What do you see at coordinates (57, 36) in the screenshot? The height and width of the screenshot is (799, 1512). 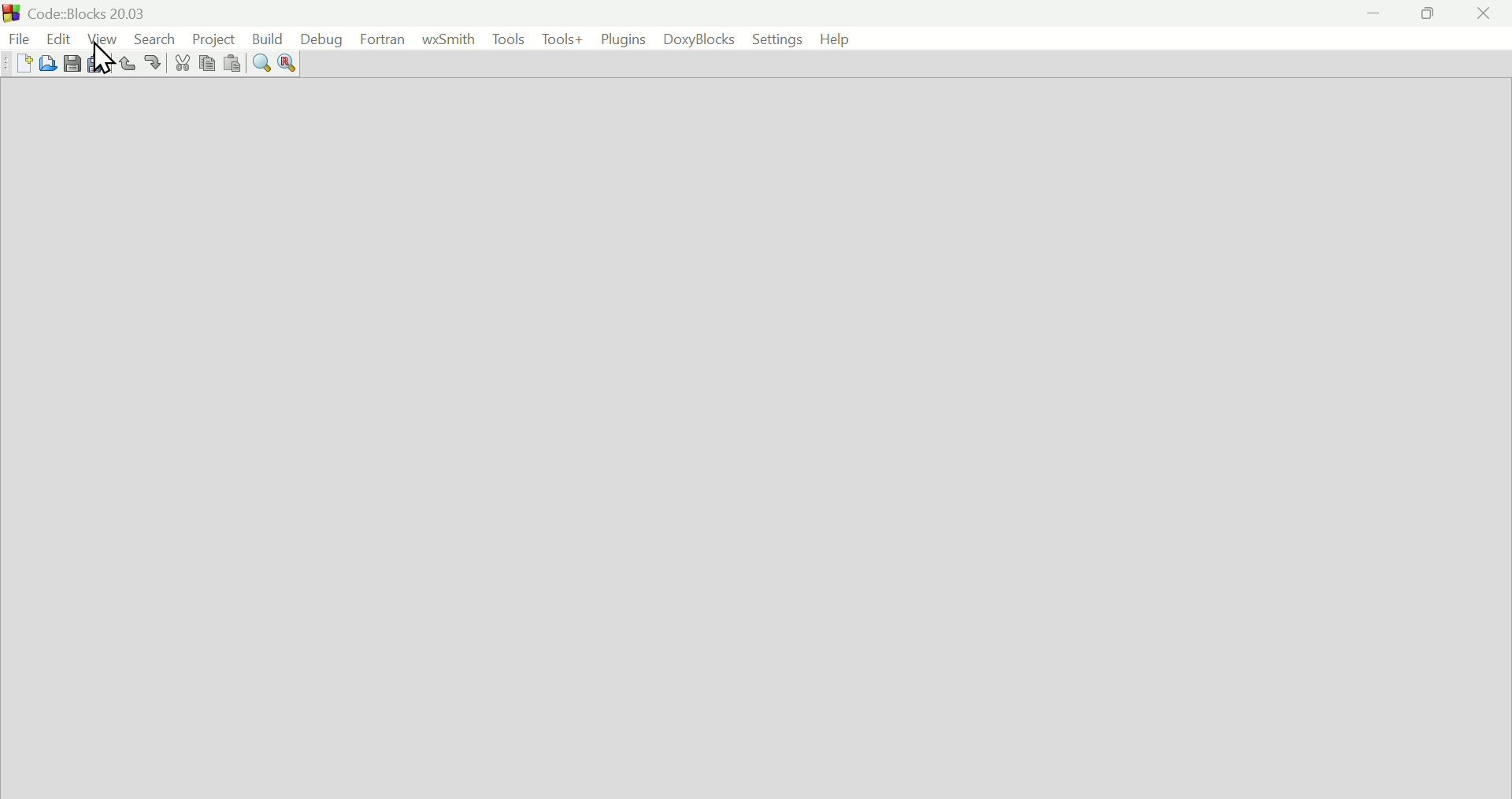 I see `edit` at bounding box center [57, 36].